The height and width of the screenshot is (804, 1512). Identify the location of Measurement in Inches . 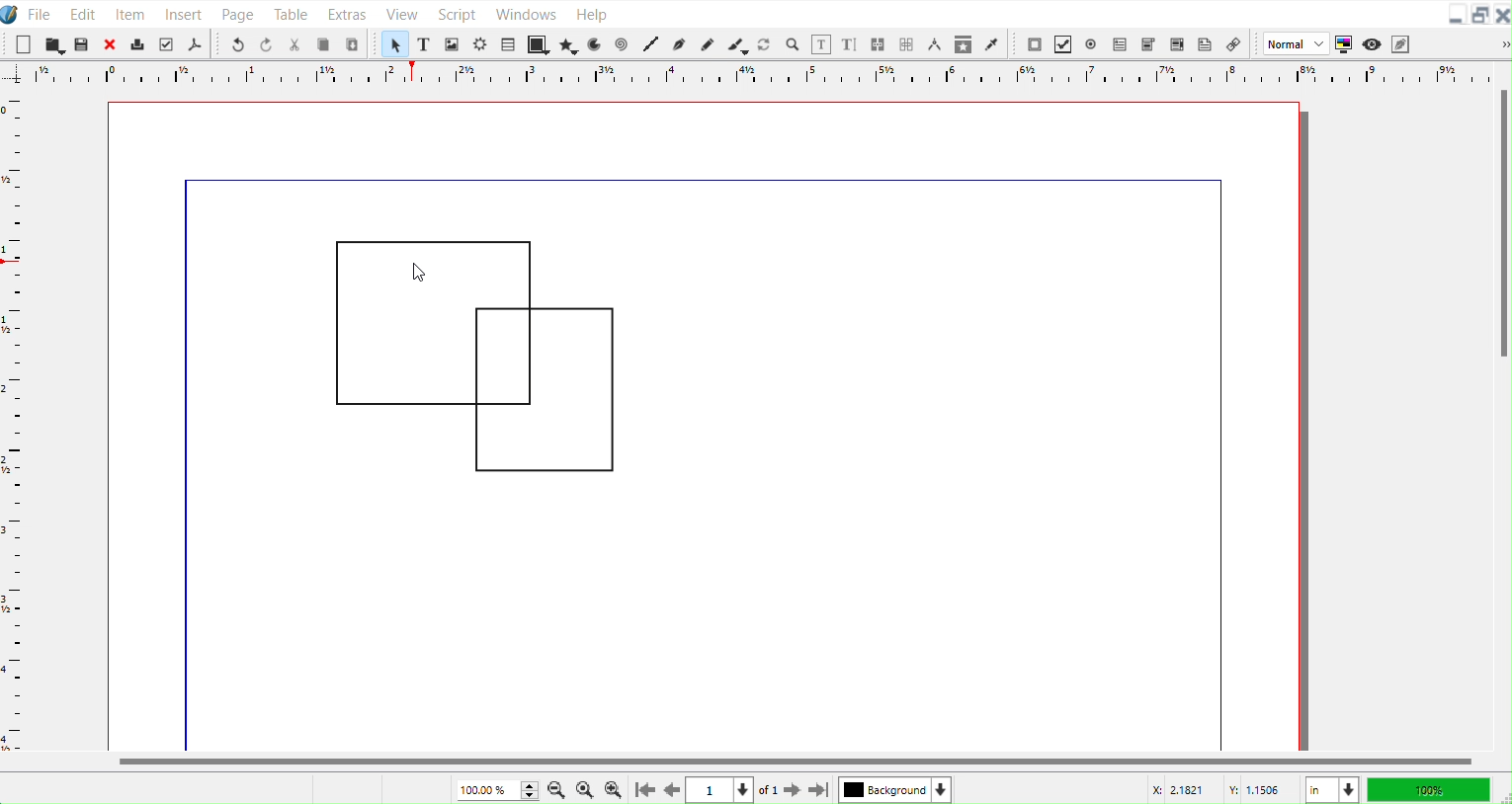
(1332, 789).